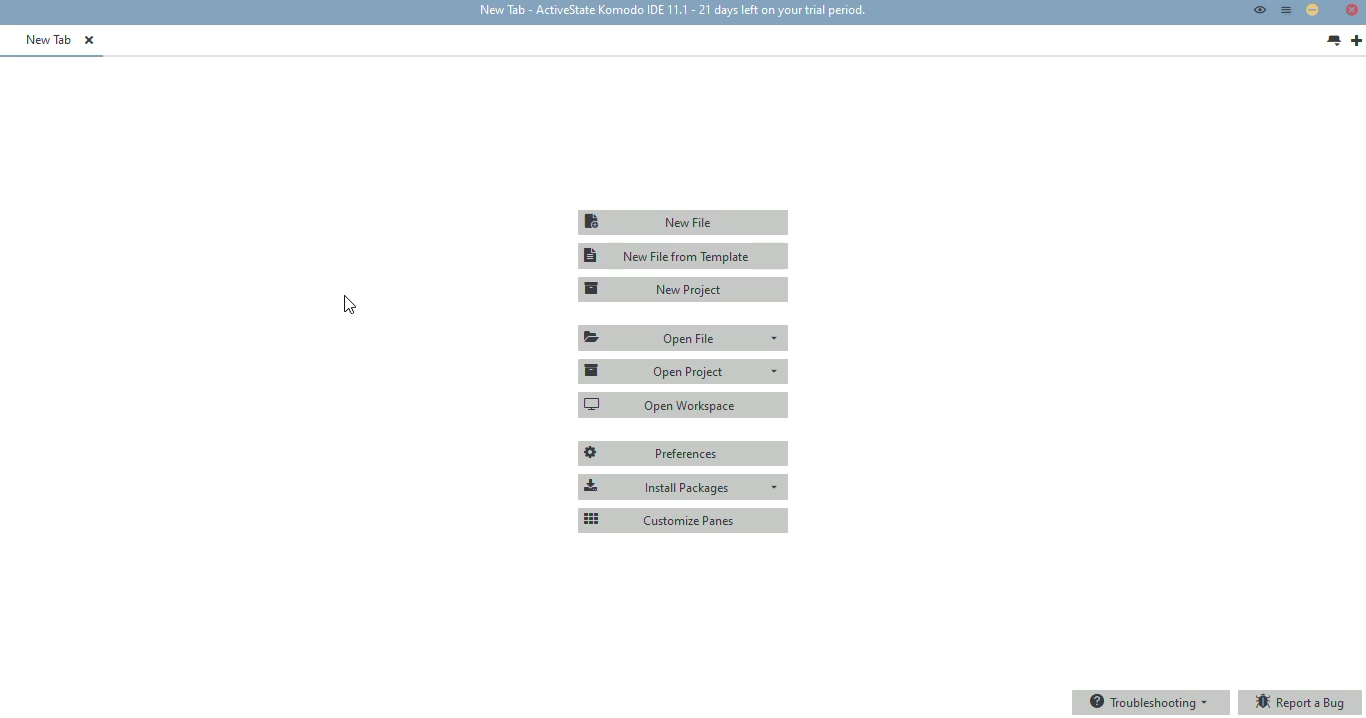 This screenshot has height=718, width=1366. What do you see at coordinates (683, 454) in the screenshot?
I see `preferences` at bounding box center [683, 454].